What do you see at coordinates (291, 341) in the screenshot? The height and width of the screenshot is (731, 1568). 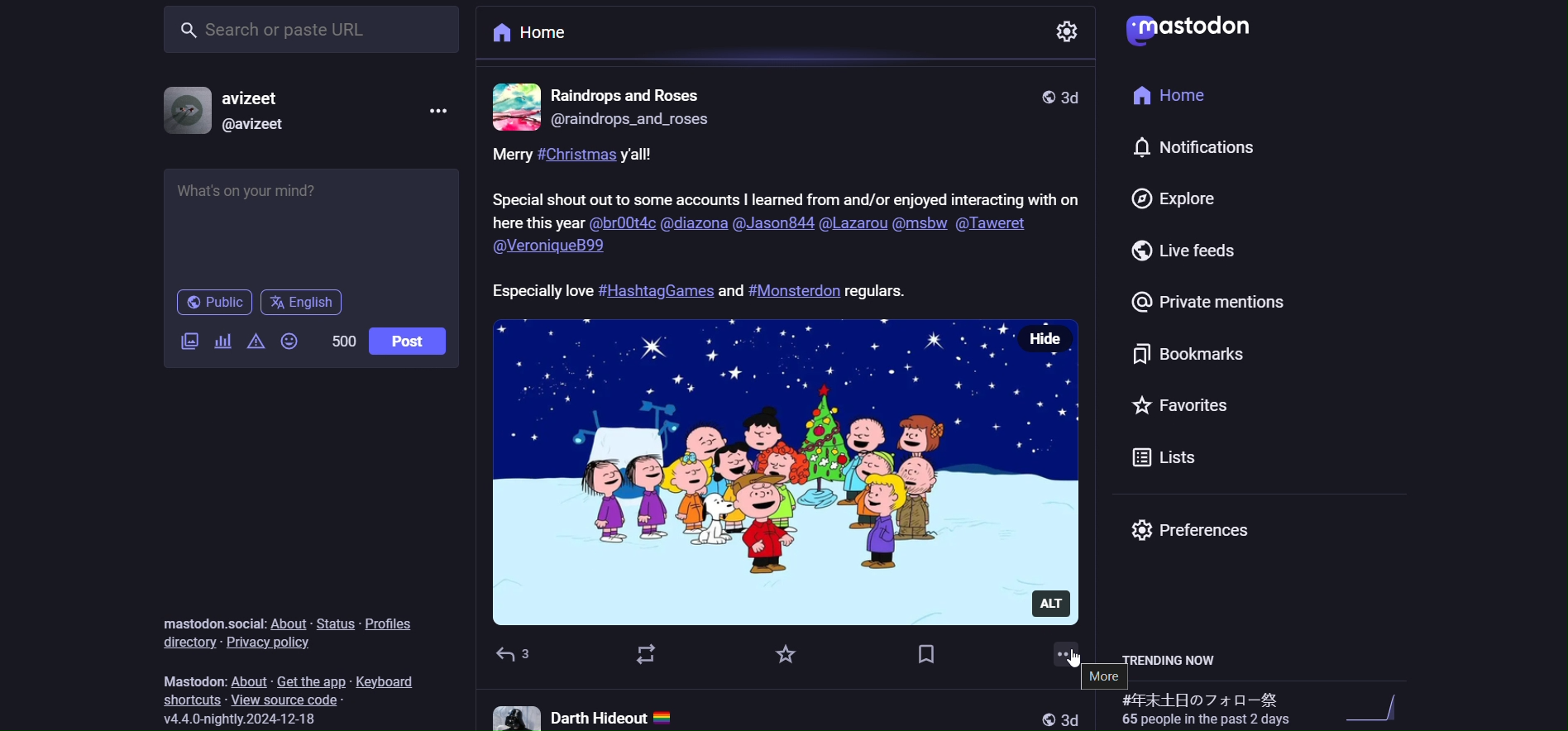 I see `emoji` at bounding box center [291, 341].